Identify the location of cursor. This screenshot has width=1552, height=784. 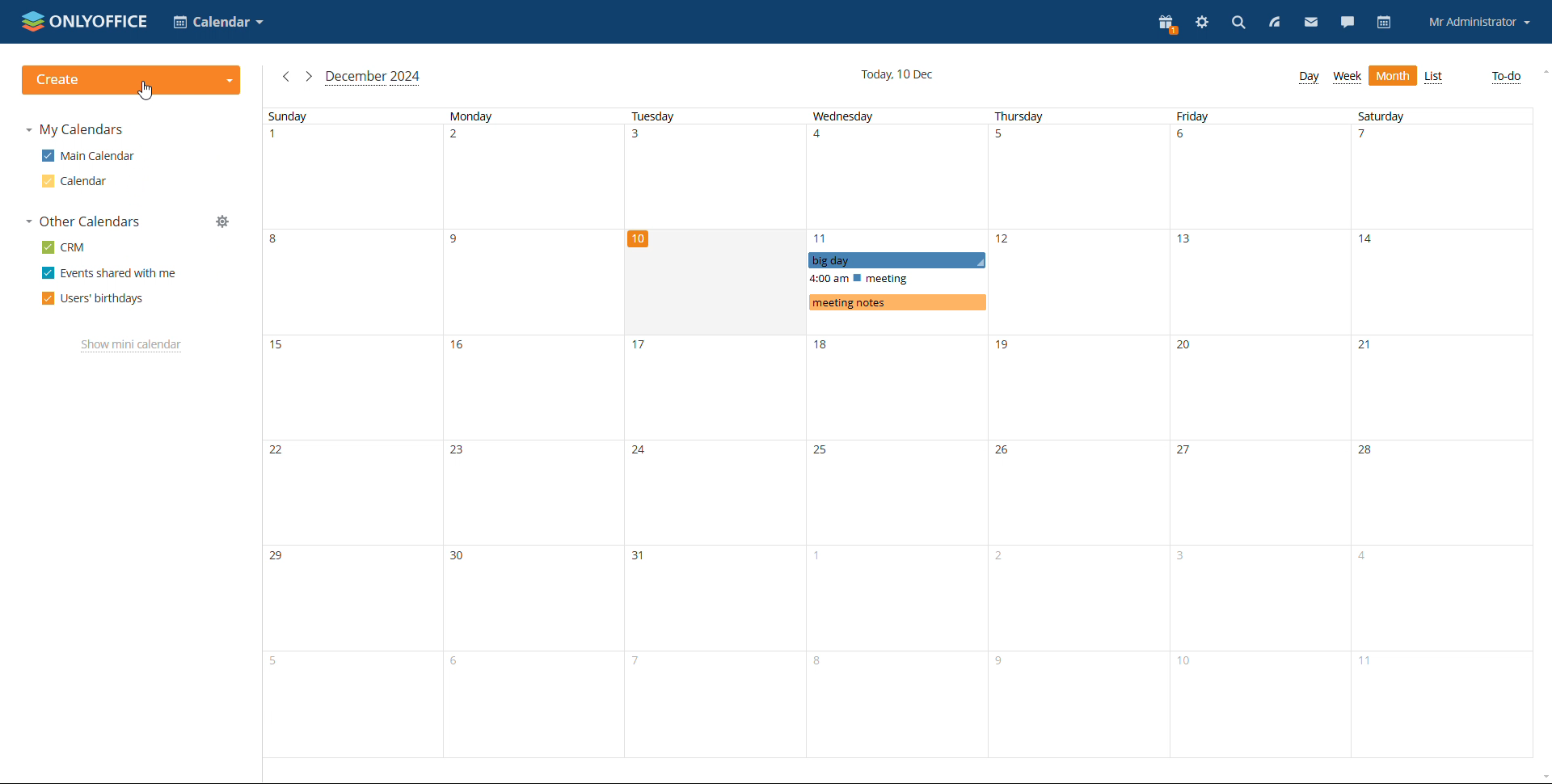
(147, 95).